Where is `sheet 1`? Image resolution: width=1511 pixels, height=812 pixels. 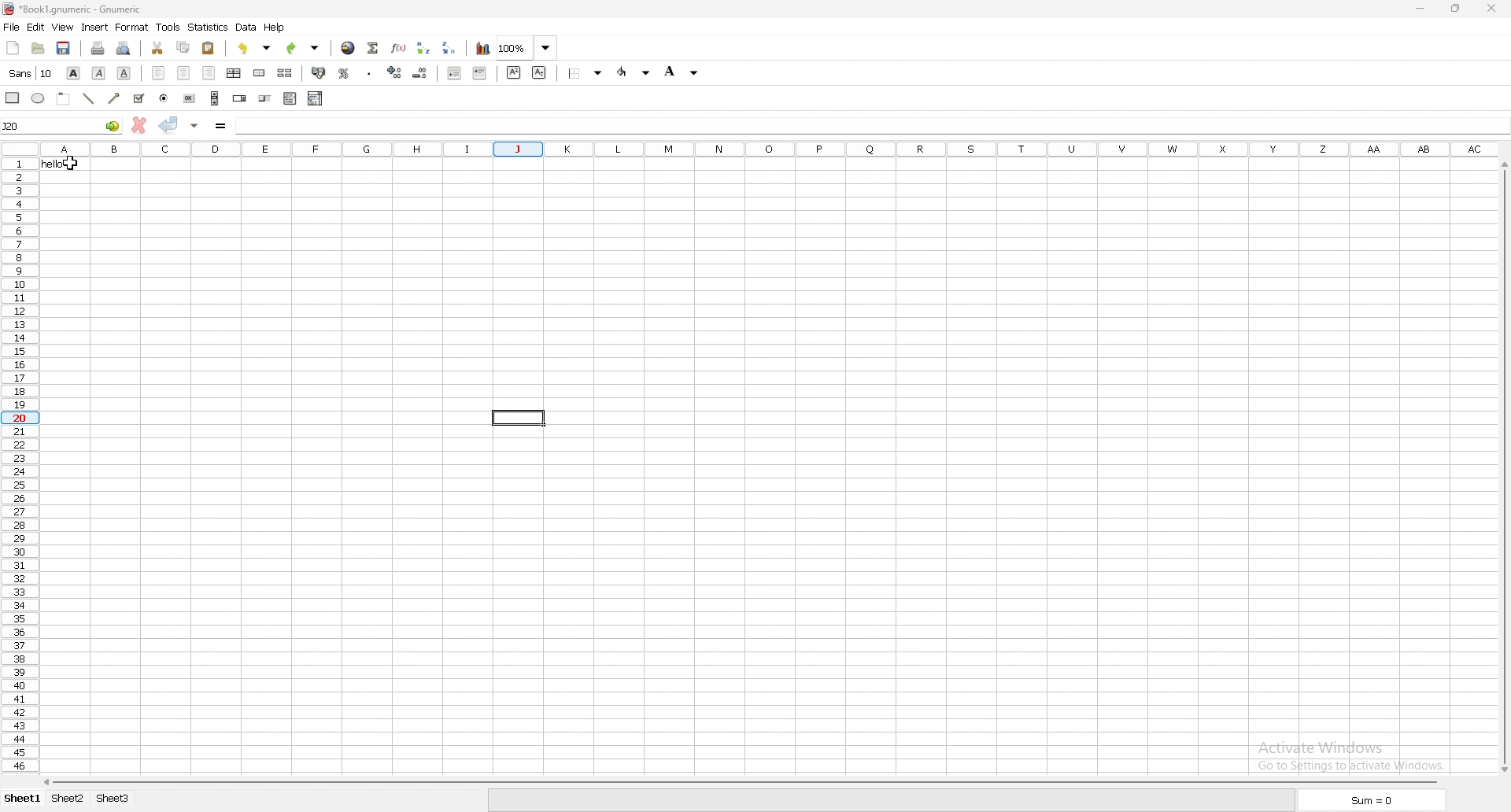
sheet 1 is located at coordinates (22, 799).